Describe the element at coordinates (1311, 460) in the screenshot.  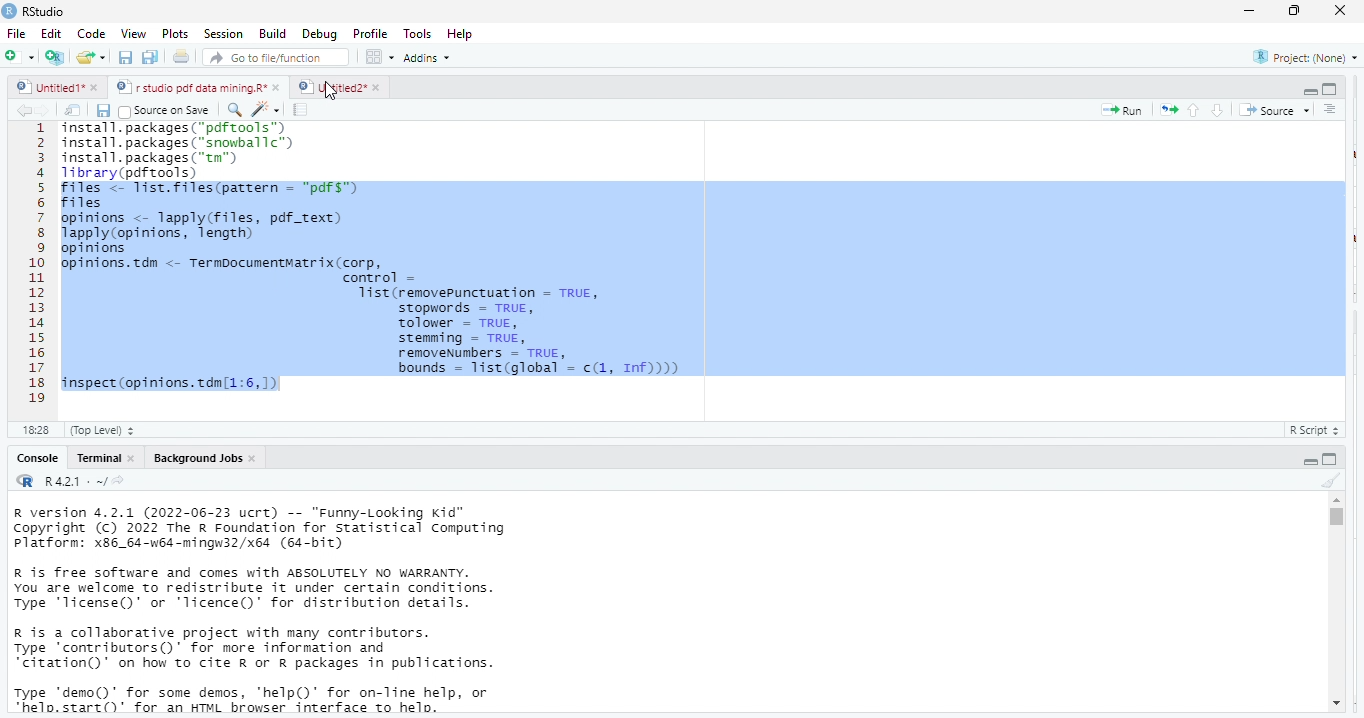
I see `hide r script` at that location.